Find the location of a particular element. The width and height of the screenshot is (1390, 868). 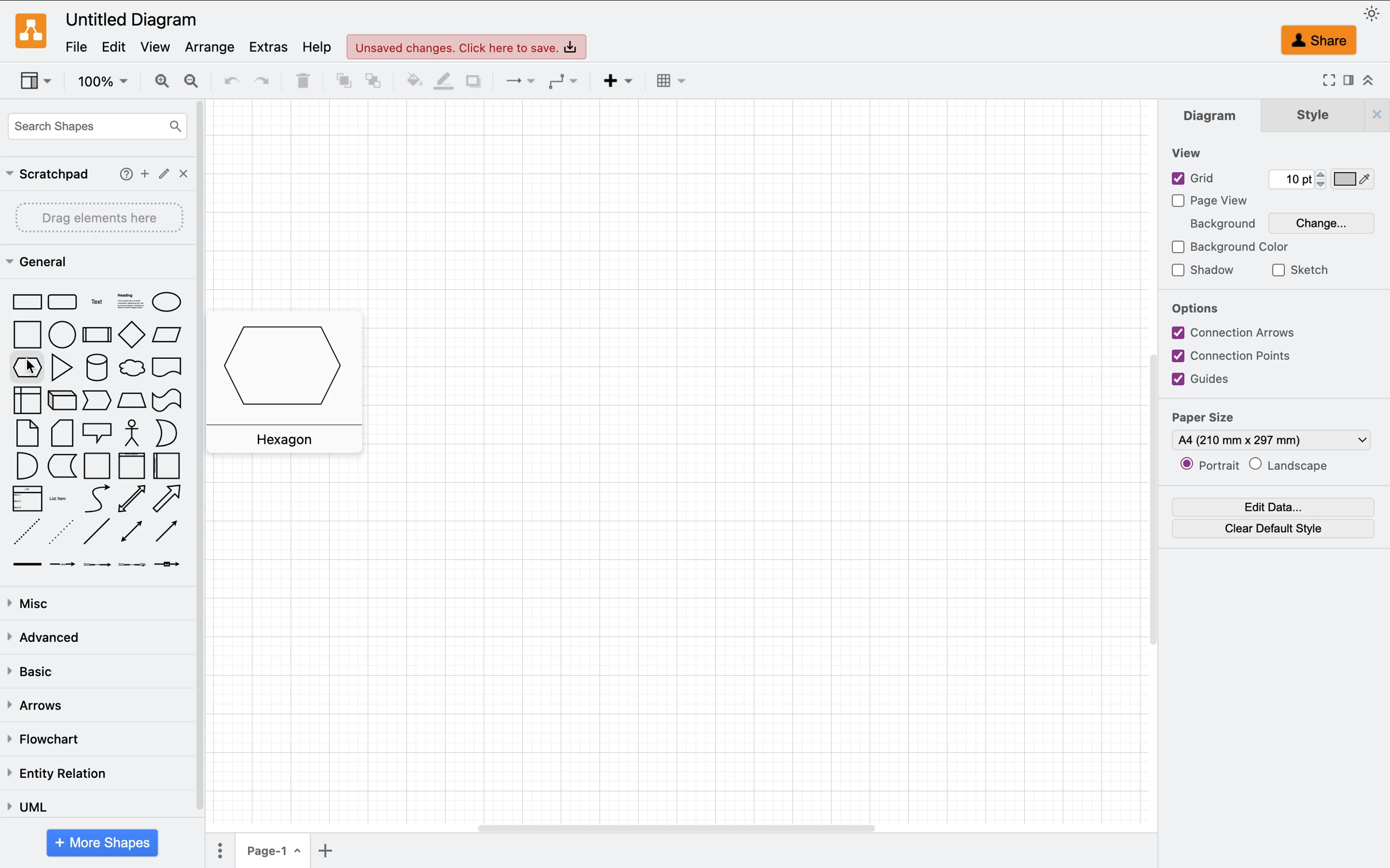

zoom scale is located at coordinates (102, 80).